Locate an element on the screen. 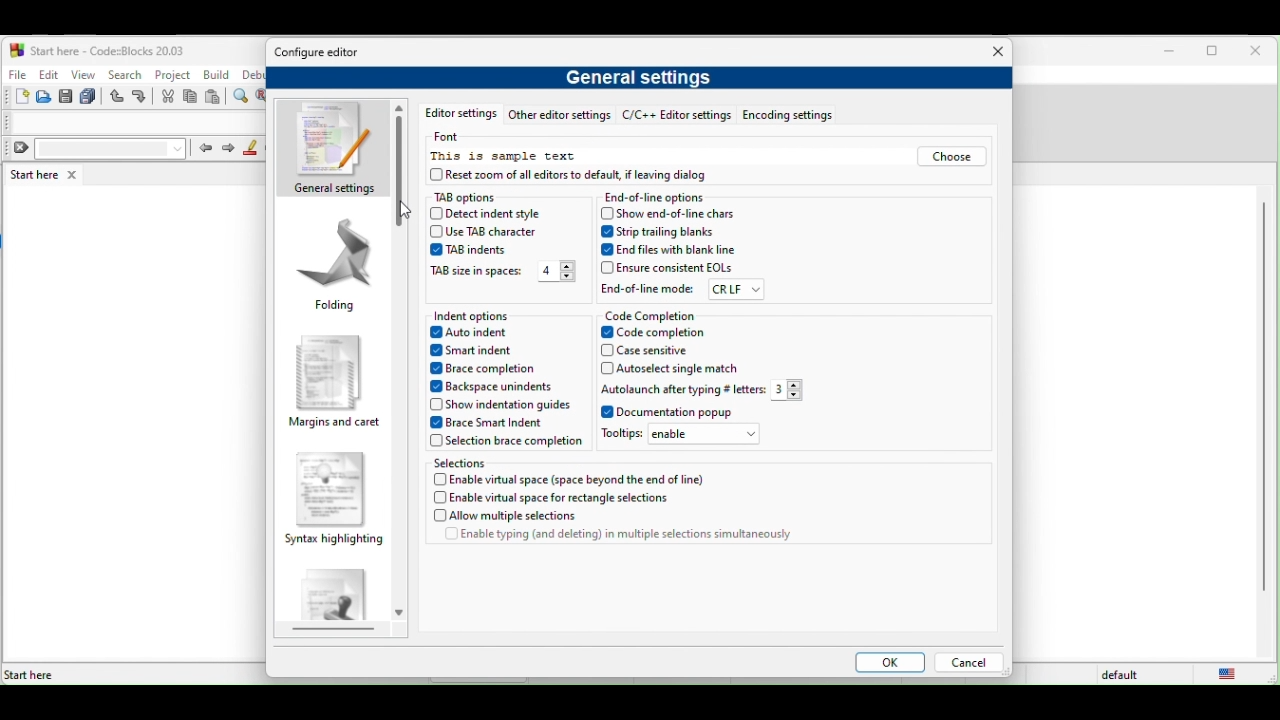 This screenshot has height=720, width=1280. documentation popup is located at coordinates (671, 413).